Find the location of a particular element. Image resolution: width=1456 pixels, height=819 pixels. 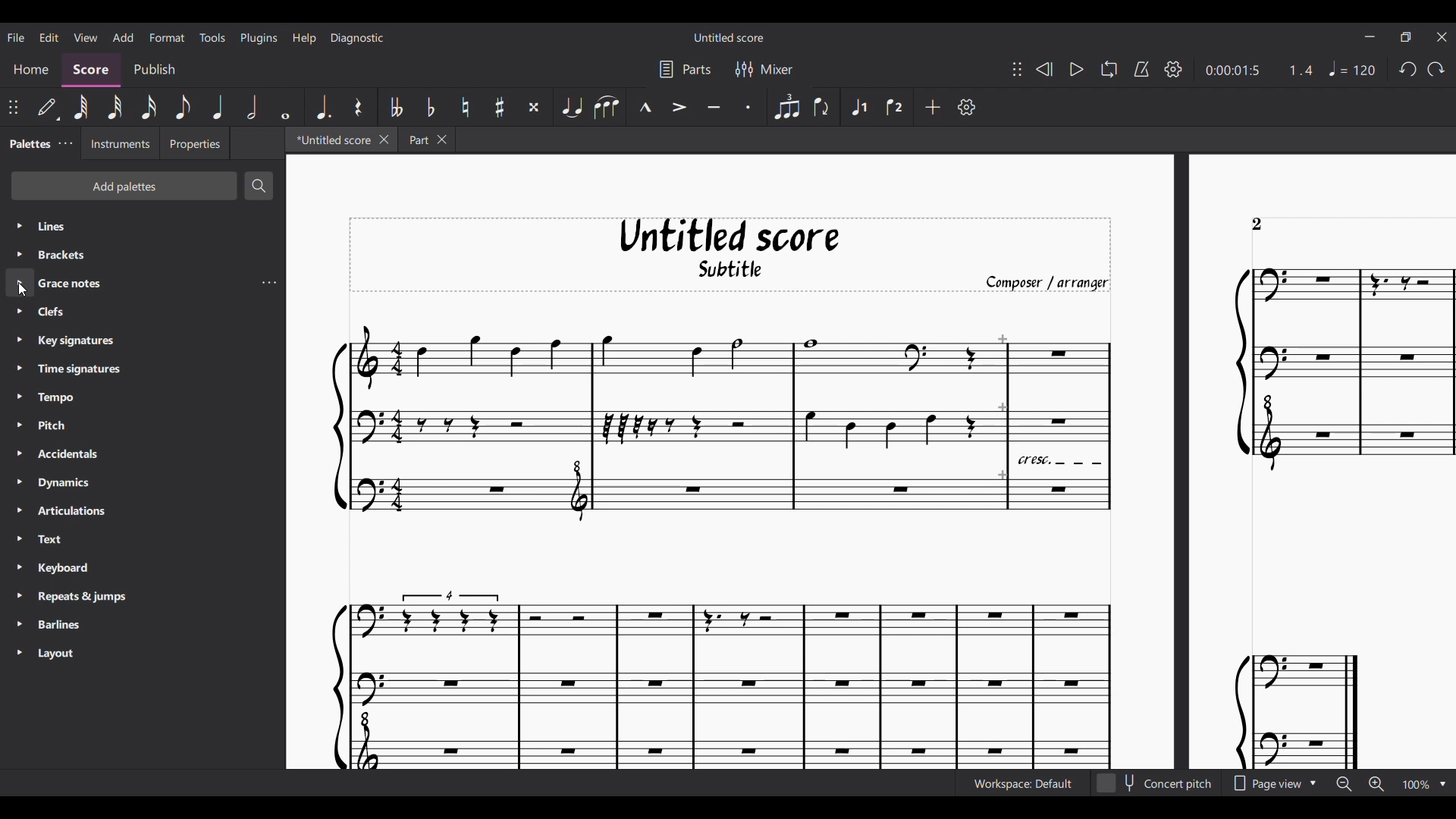

64th note is located at coordinates (80, 108).